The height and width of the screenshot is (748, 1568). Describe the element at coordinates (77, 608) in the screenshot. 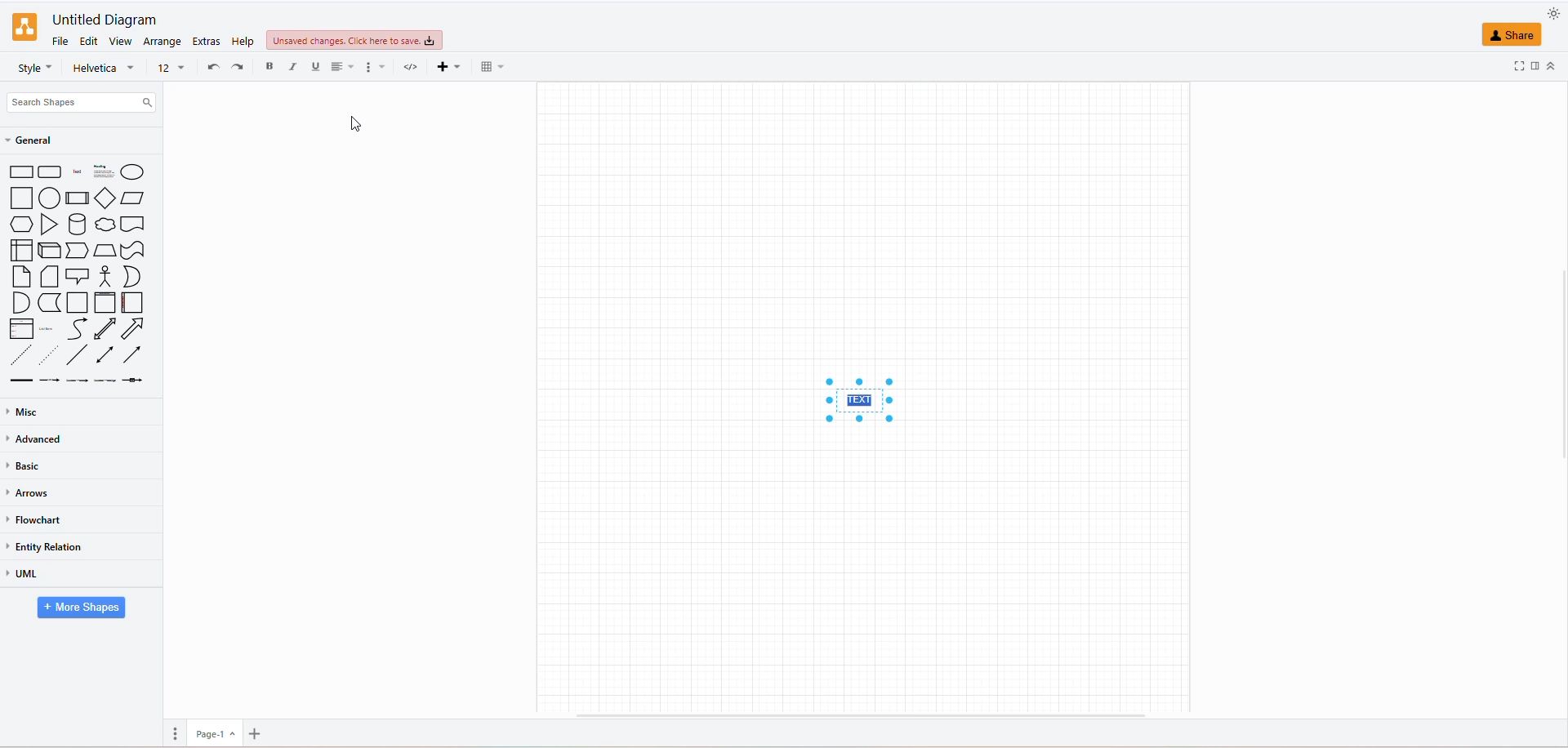

I see `more shapes` at that location.